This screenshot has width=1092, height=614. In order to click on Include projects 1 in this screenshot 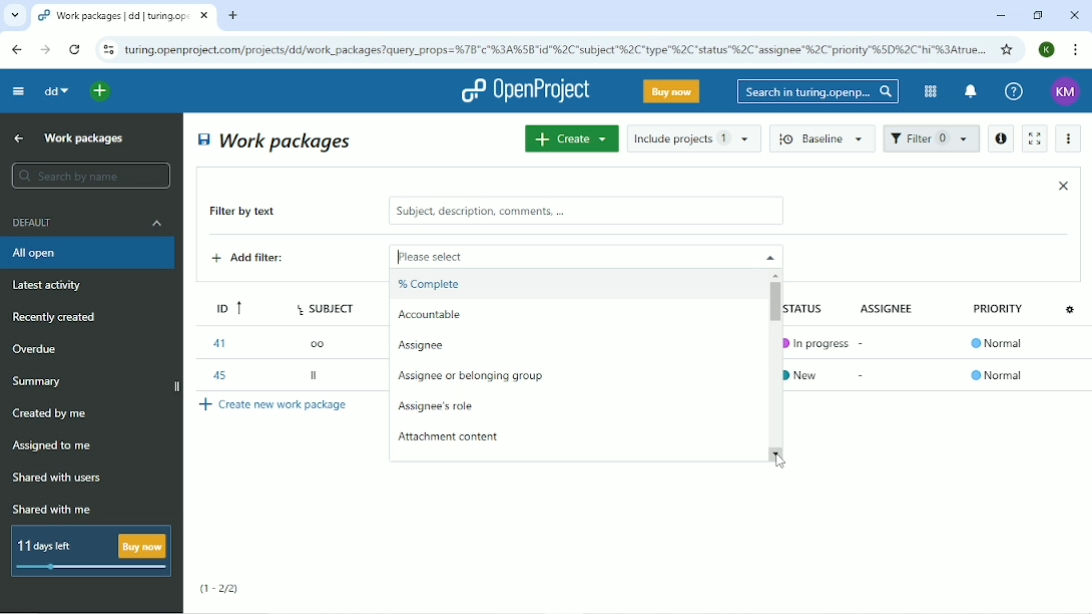, I will do `click(694, 138)`.